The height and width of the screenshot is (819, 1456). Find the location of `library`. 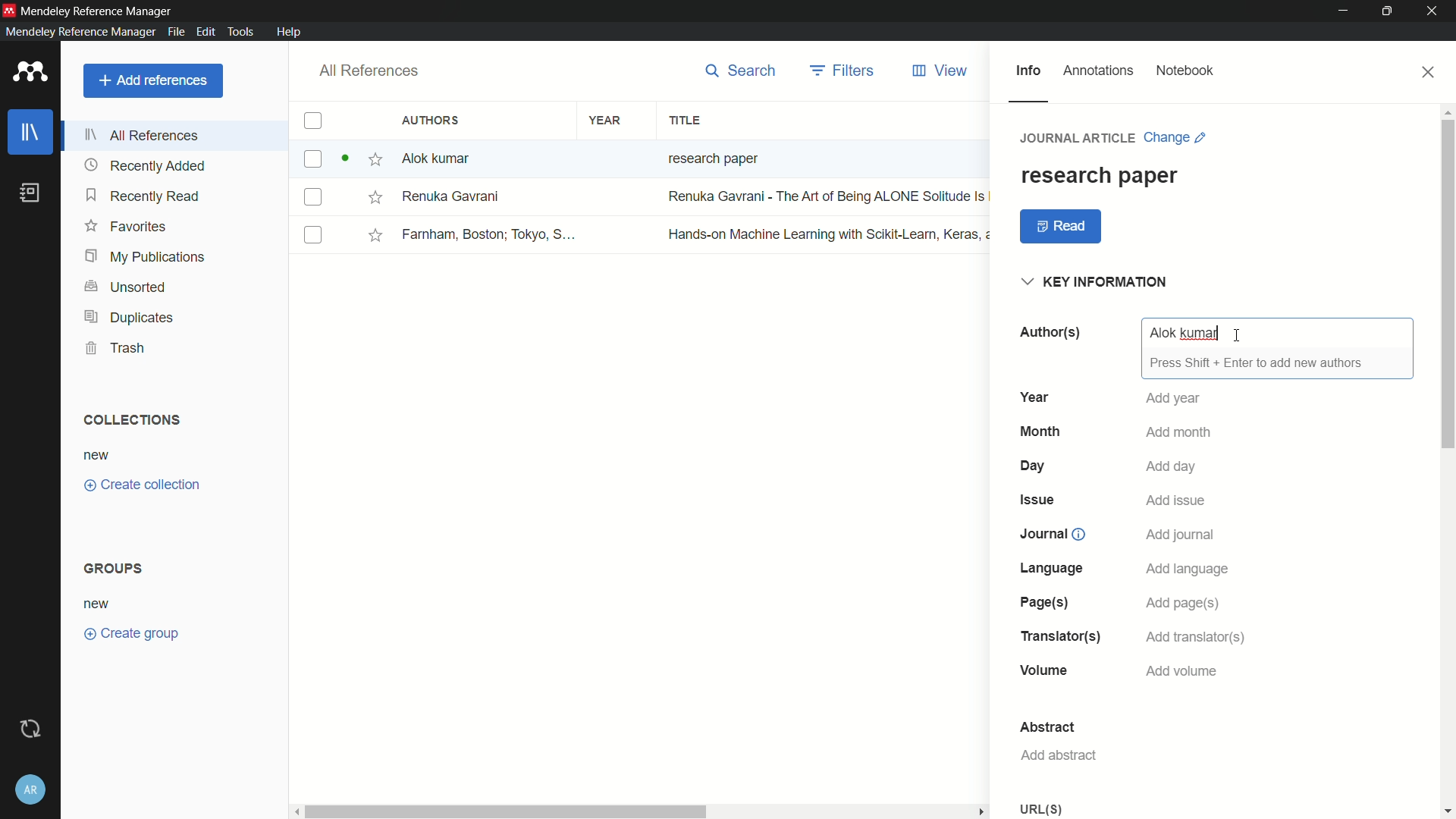

library is located at coordinates (31, 133).